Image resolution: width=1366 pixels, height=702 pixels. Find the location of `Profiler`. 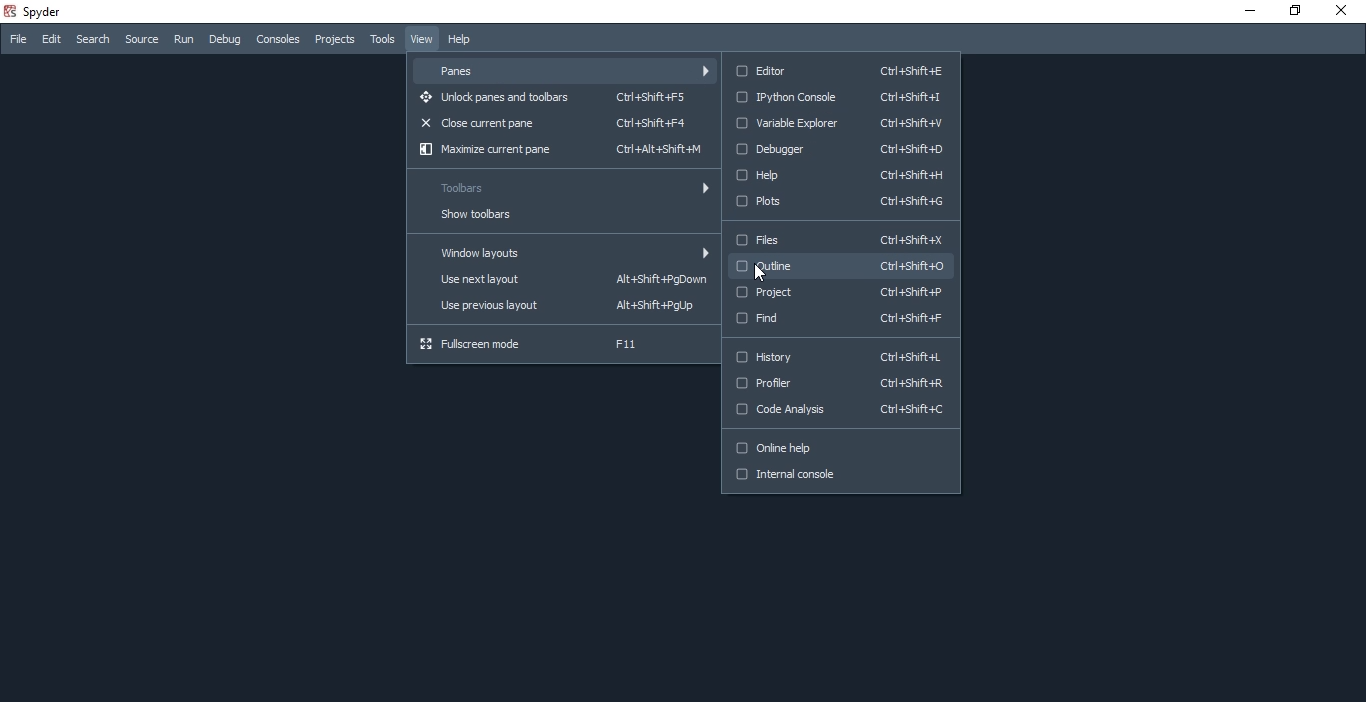

Profiler is located at coordinates (840, 387).